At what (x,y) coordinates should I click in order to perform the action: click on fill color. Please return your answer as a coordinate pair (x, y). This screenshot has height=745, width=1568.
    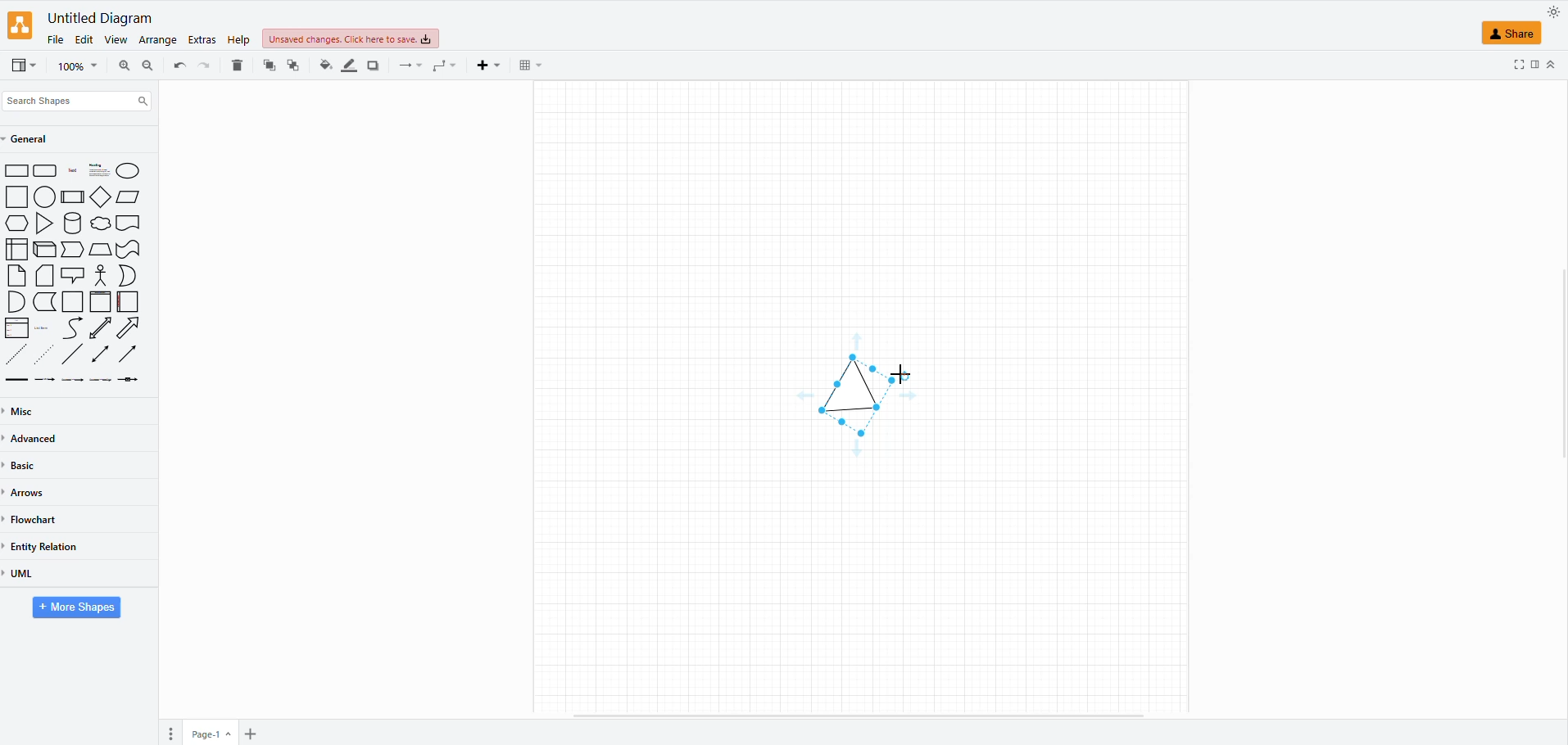
    Looking at the image, I should click on (324, 63).